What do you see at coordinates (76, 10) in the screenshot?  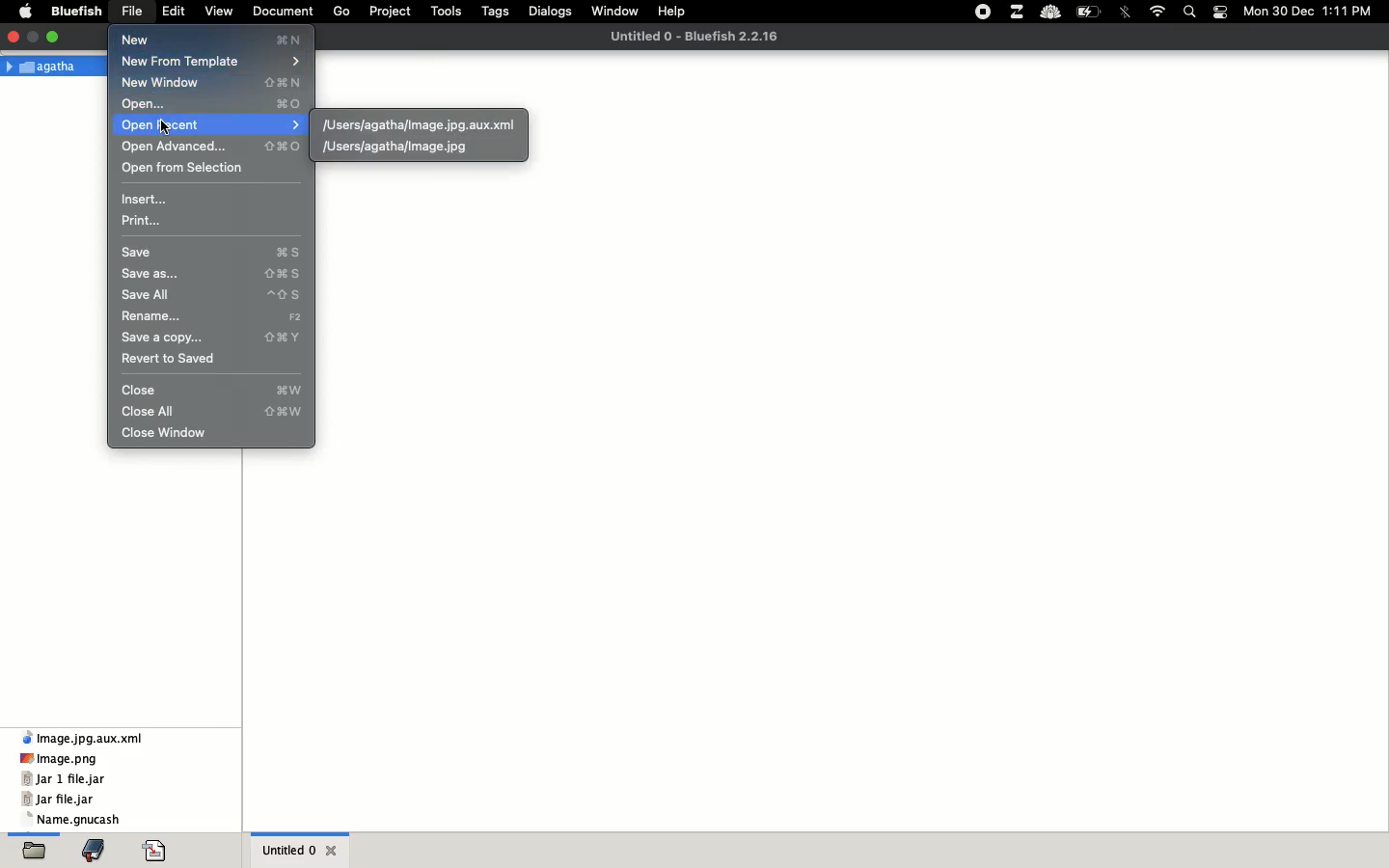 I see `bluefish` at bounding box center [76, 10].